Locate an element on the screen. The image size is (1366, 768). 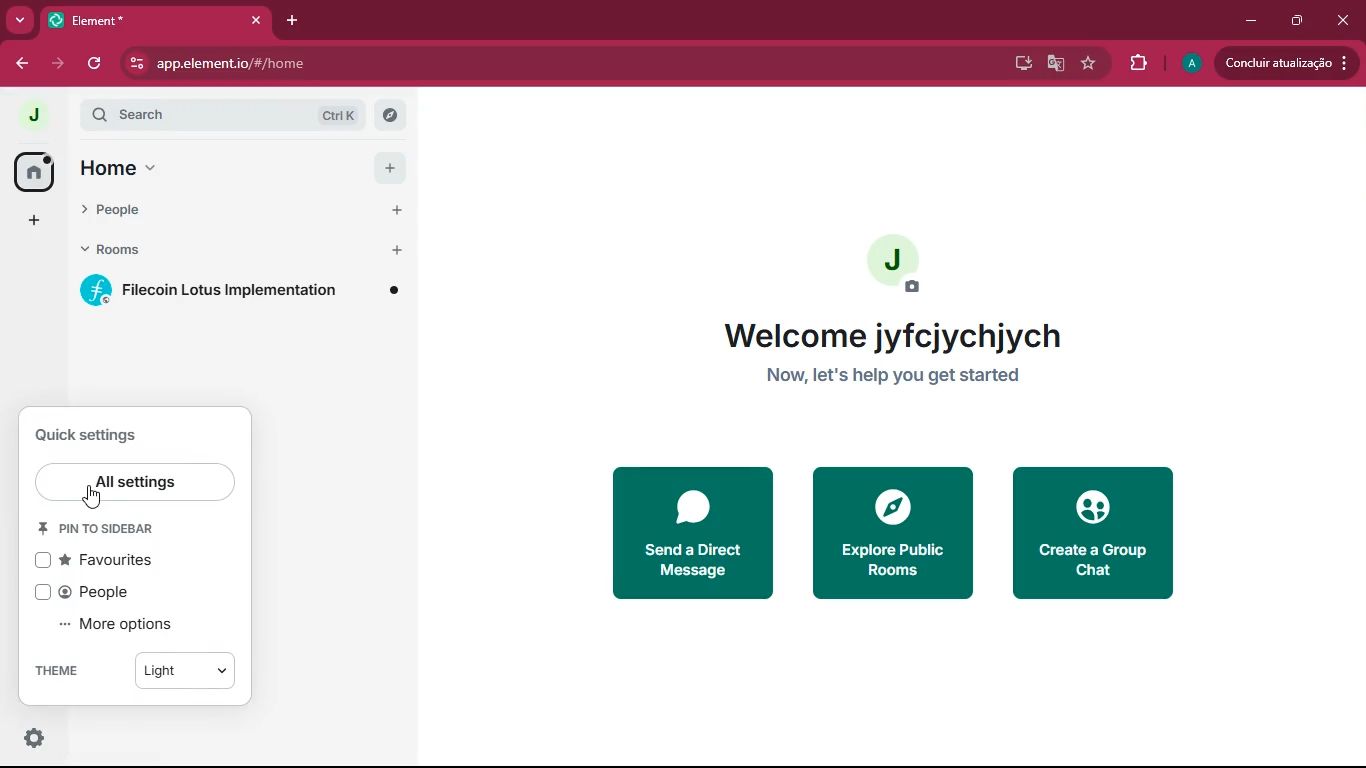
more options is located at coordinates (118, 625).